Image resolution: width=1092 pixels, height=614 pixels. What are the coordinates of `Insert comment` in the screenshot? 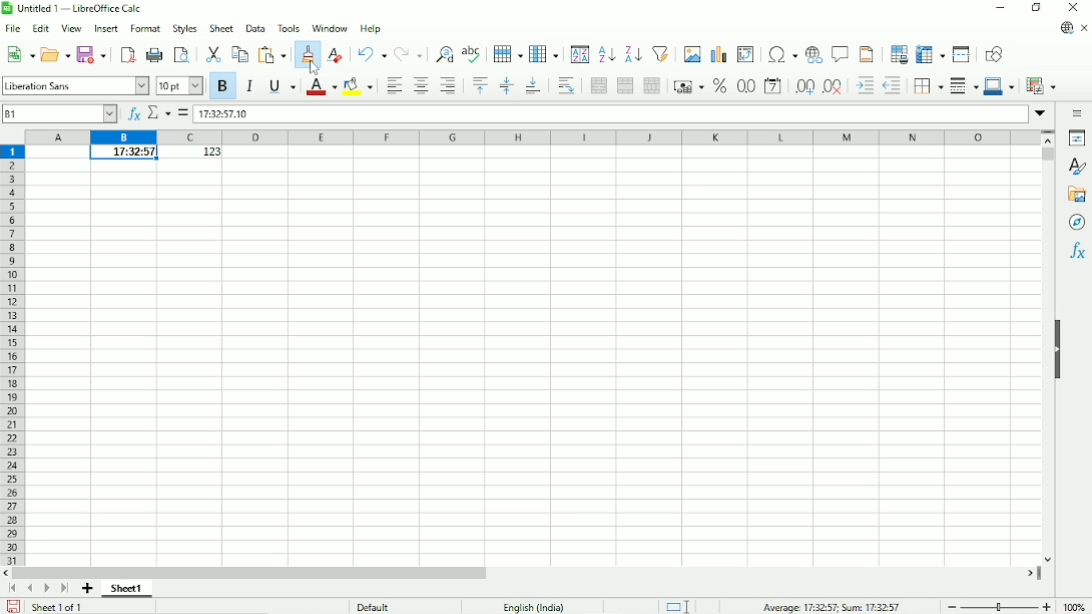 It's located at (840, 54).